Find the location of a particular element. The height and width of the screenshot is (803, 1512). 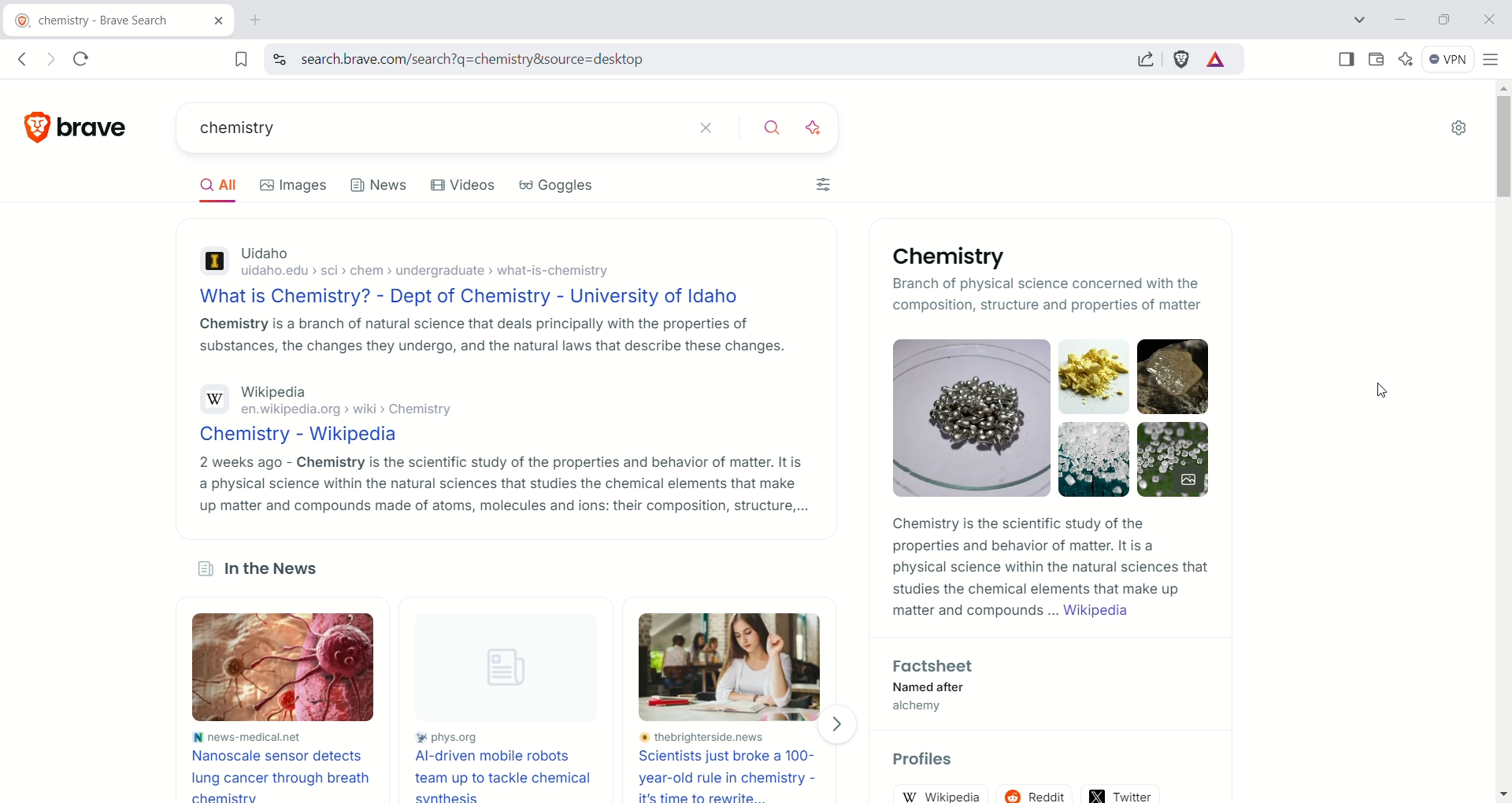

search tabs is located at coordinates (1362, 20).